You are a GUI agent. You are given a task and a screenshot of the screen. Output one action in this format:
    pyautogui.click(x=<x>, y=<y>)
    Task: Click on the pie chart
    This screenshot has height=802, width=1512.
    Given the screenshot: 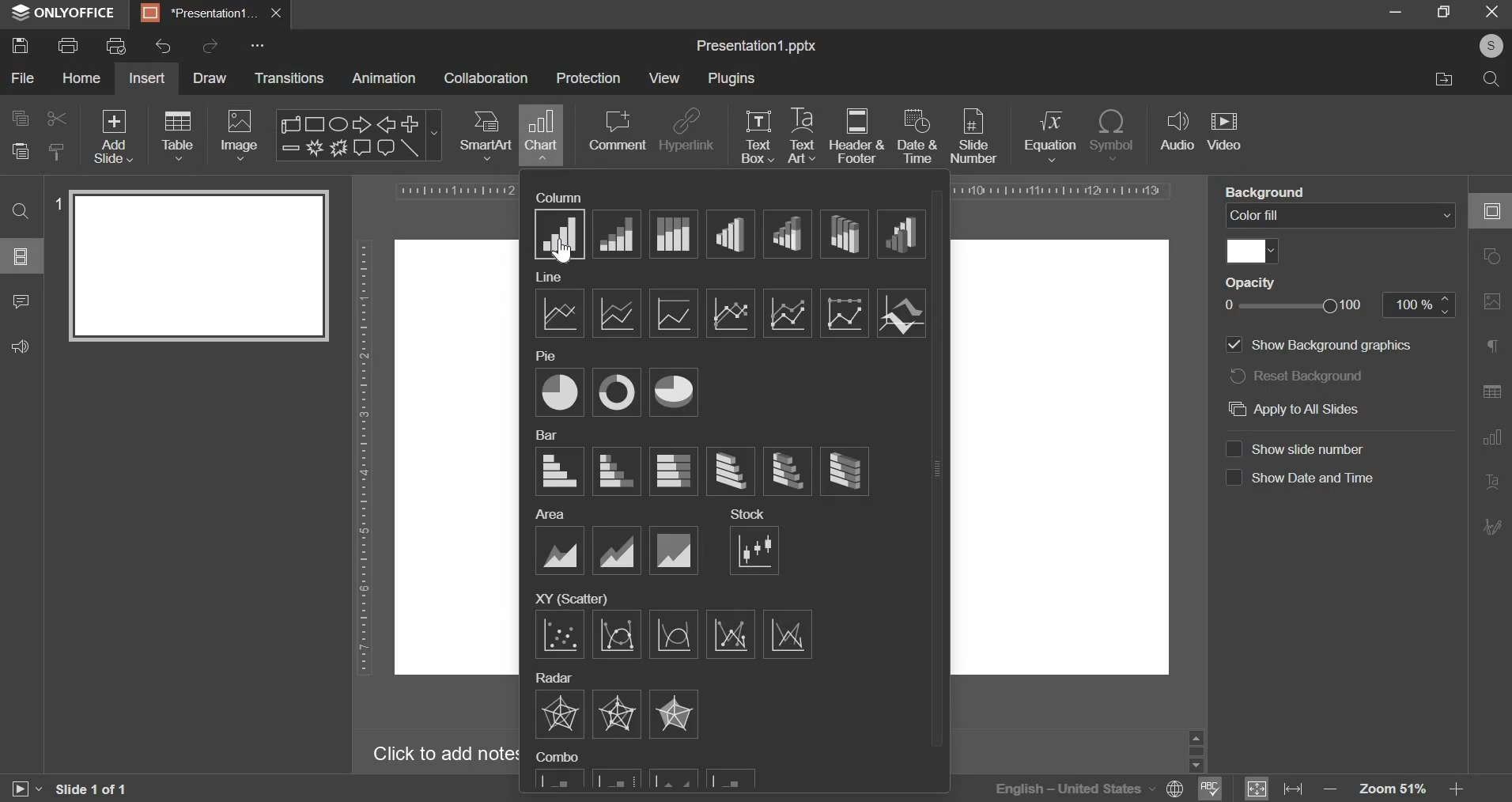 What is the action you would take?
    pyautogui.click(x=616, y=392)
    